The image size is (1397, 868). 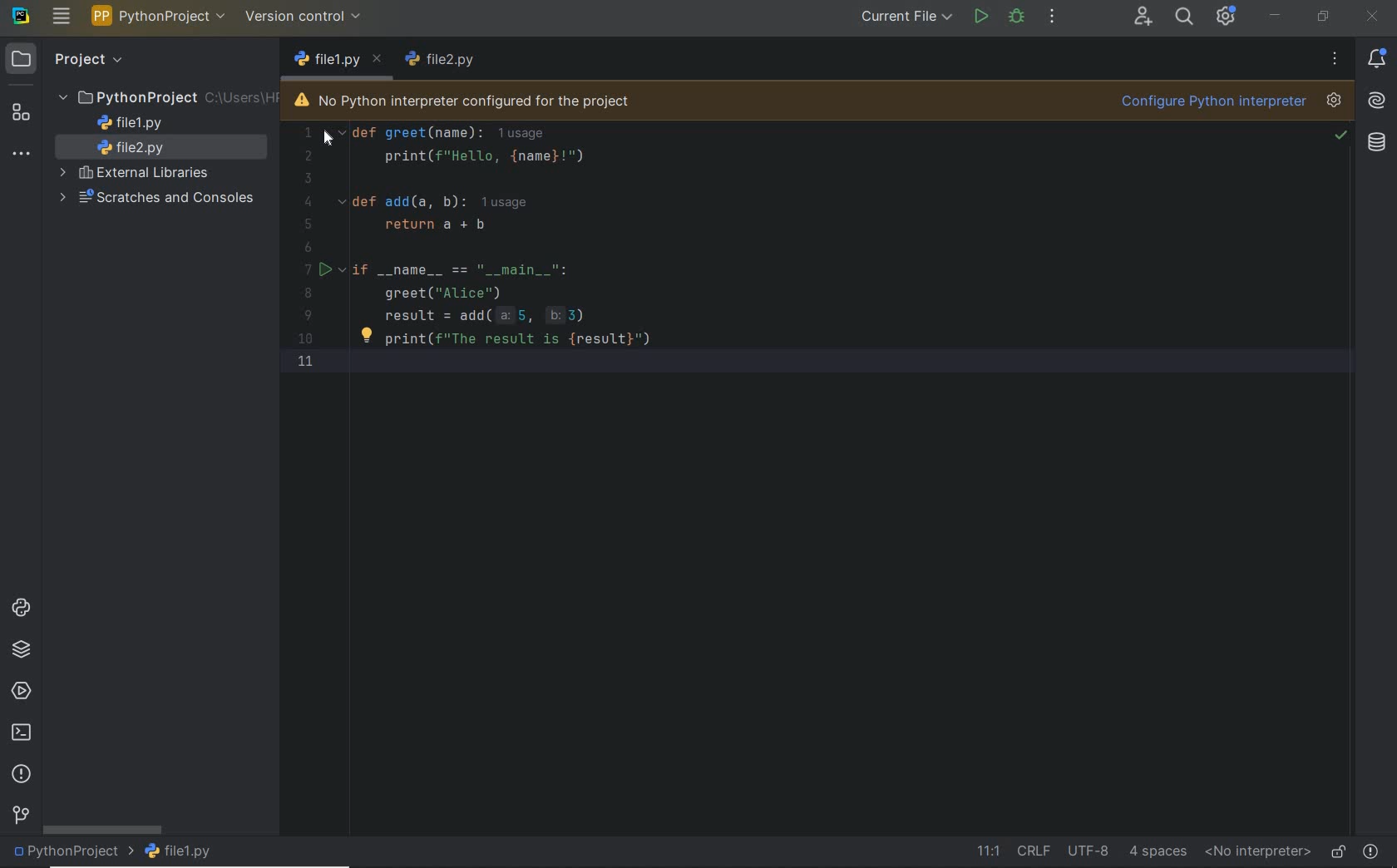 What do you see at coordinates (20, 734) in the screenshot?
I see `terminal` at bounding box center [20, 734].